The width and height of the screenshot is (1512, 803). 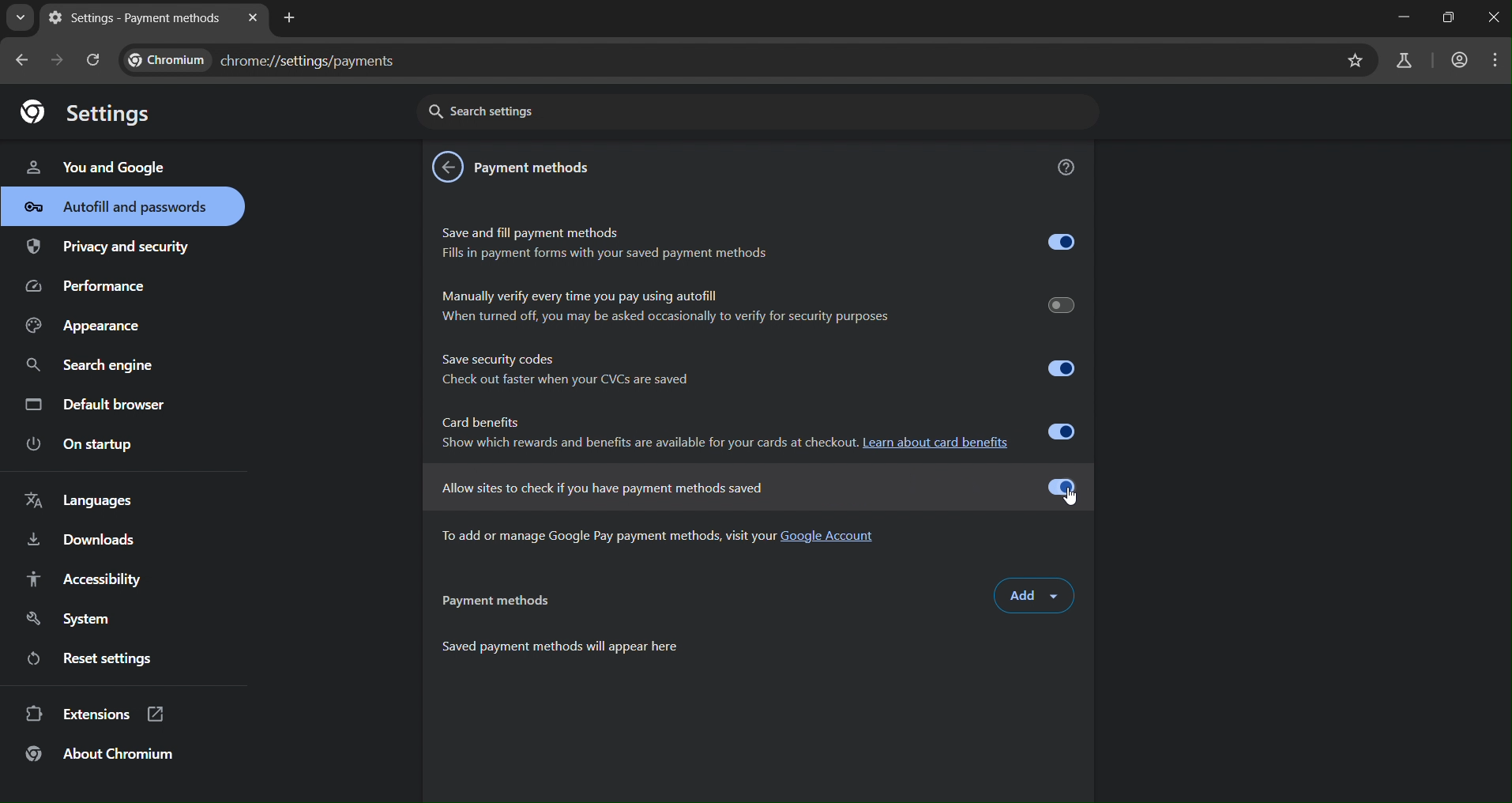 I want to click on on startup, so click(x=77, y=445).